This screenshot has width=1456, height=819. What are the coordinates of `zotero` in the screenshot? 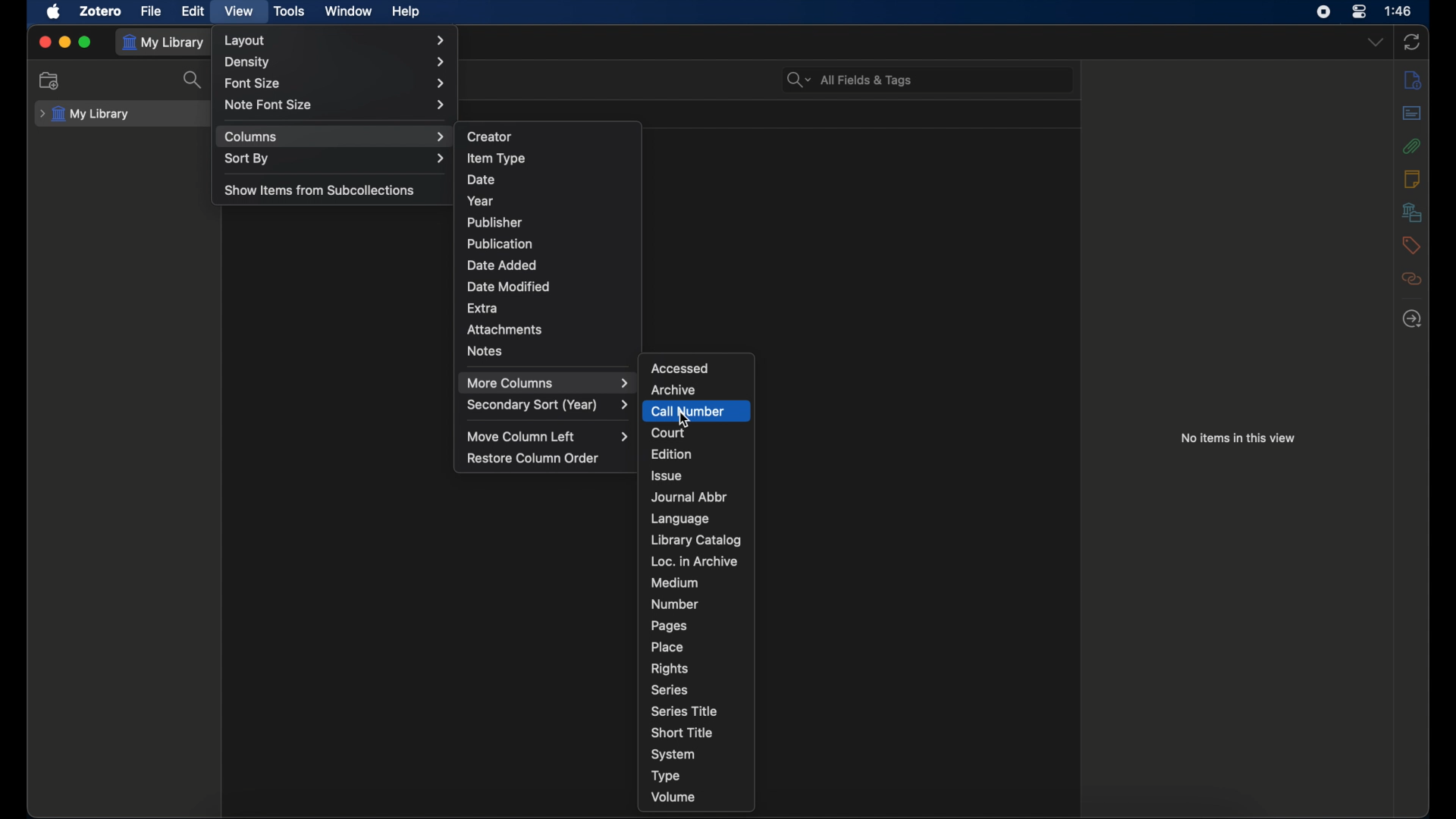 It's located at (99, 11).